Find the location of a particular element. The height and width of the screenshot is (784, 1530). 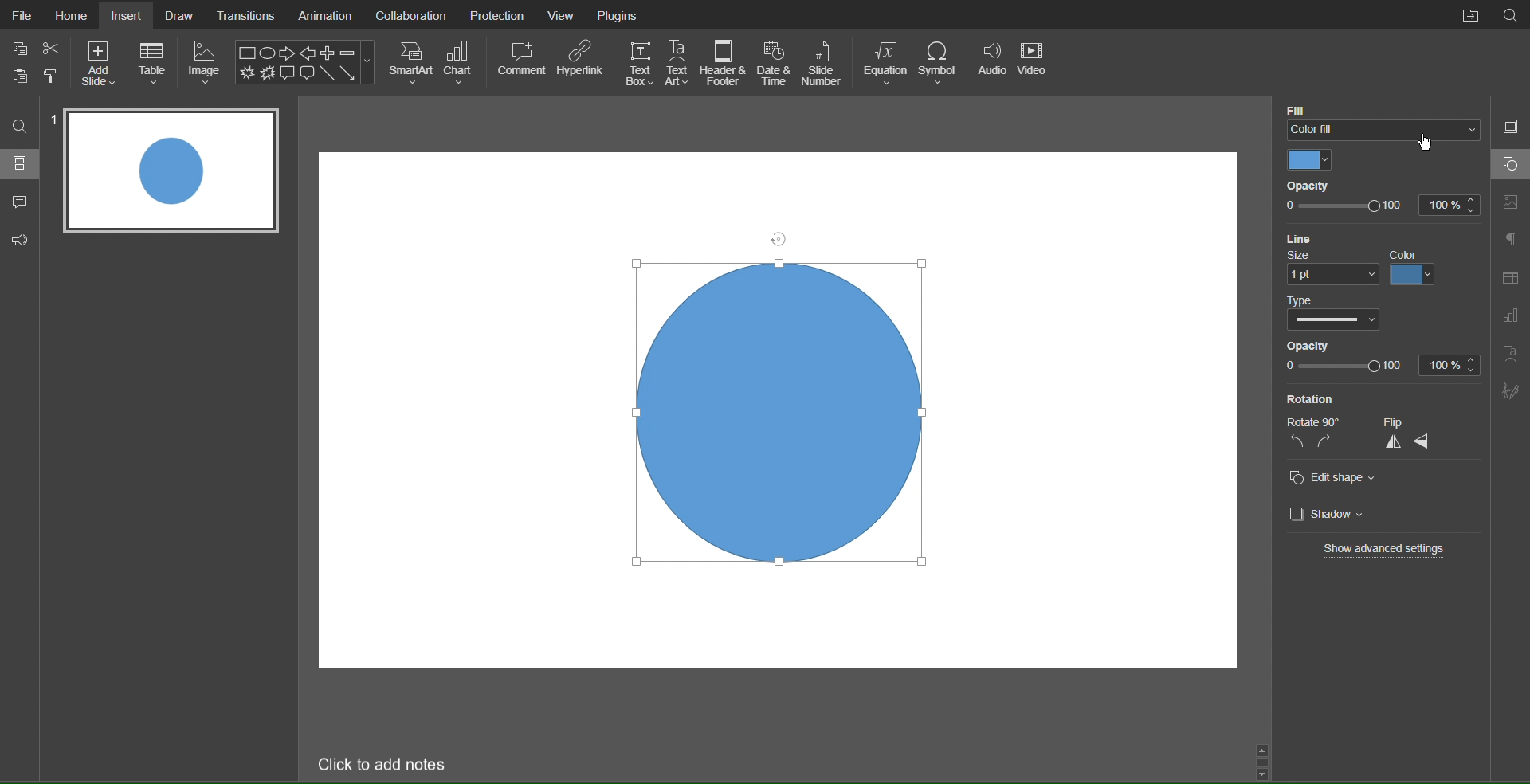

Signature is located at coordinates (1511, 394).